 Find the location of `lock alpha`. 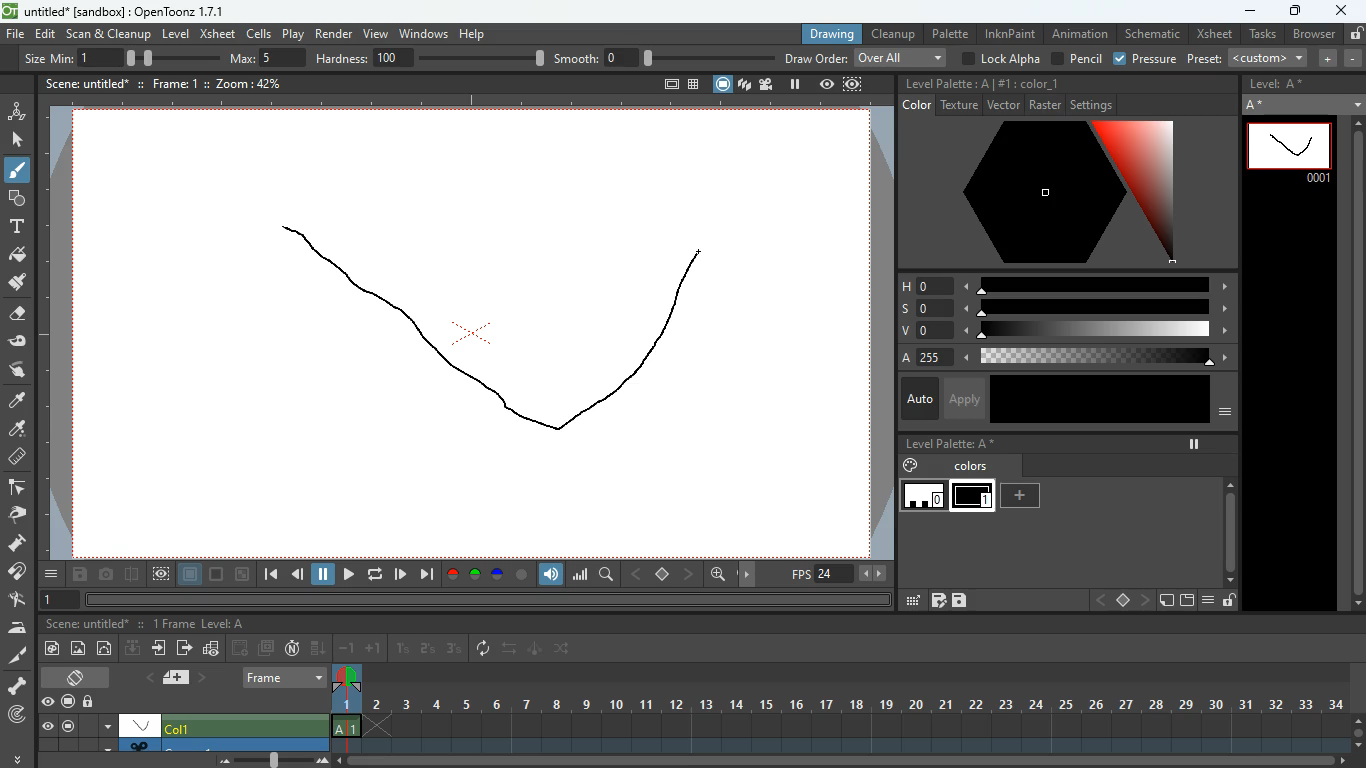

lock alpha is located at coordinates (999, 58).